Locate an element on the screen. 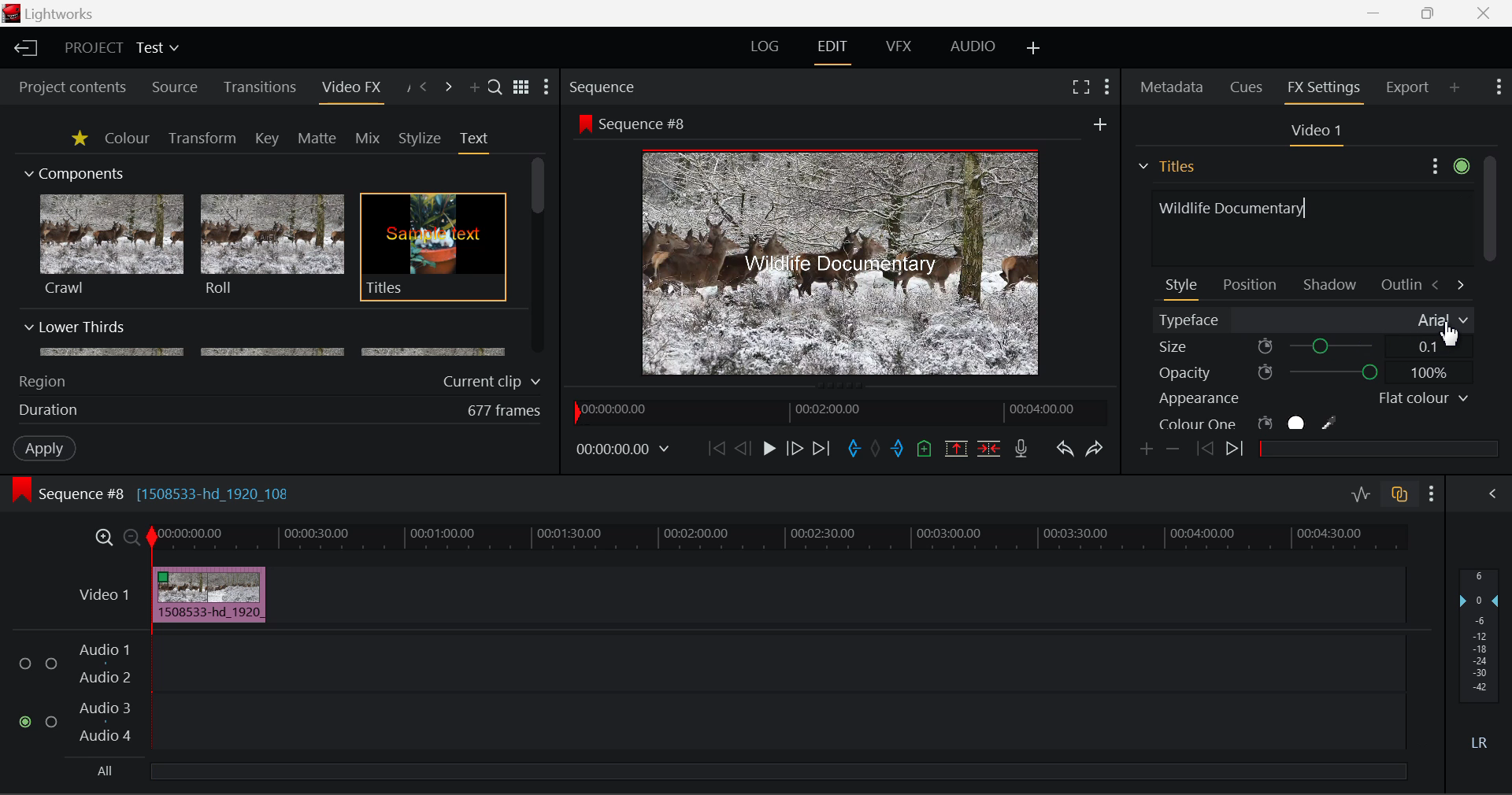  677 frames is located at coordinates (505, 412).